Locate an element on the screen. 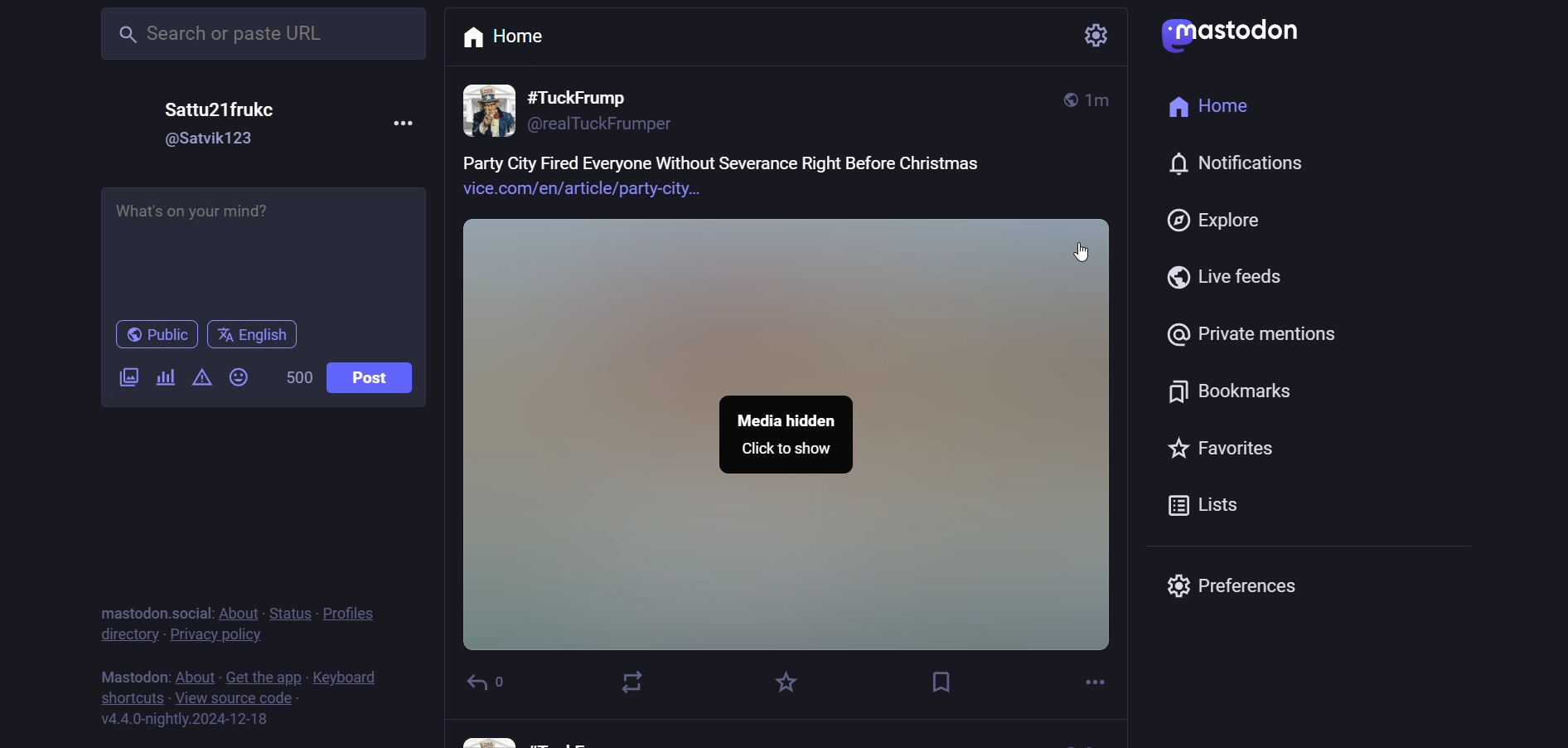  Language is located at coordinates (256, 333).